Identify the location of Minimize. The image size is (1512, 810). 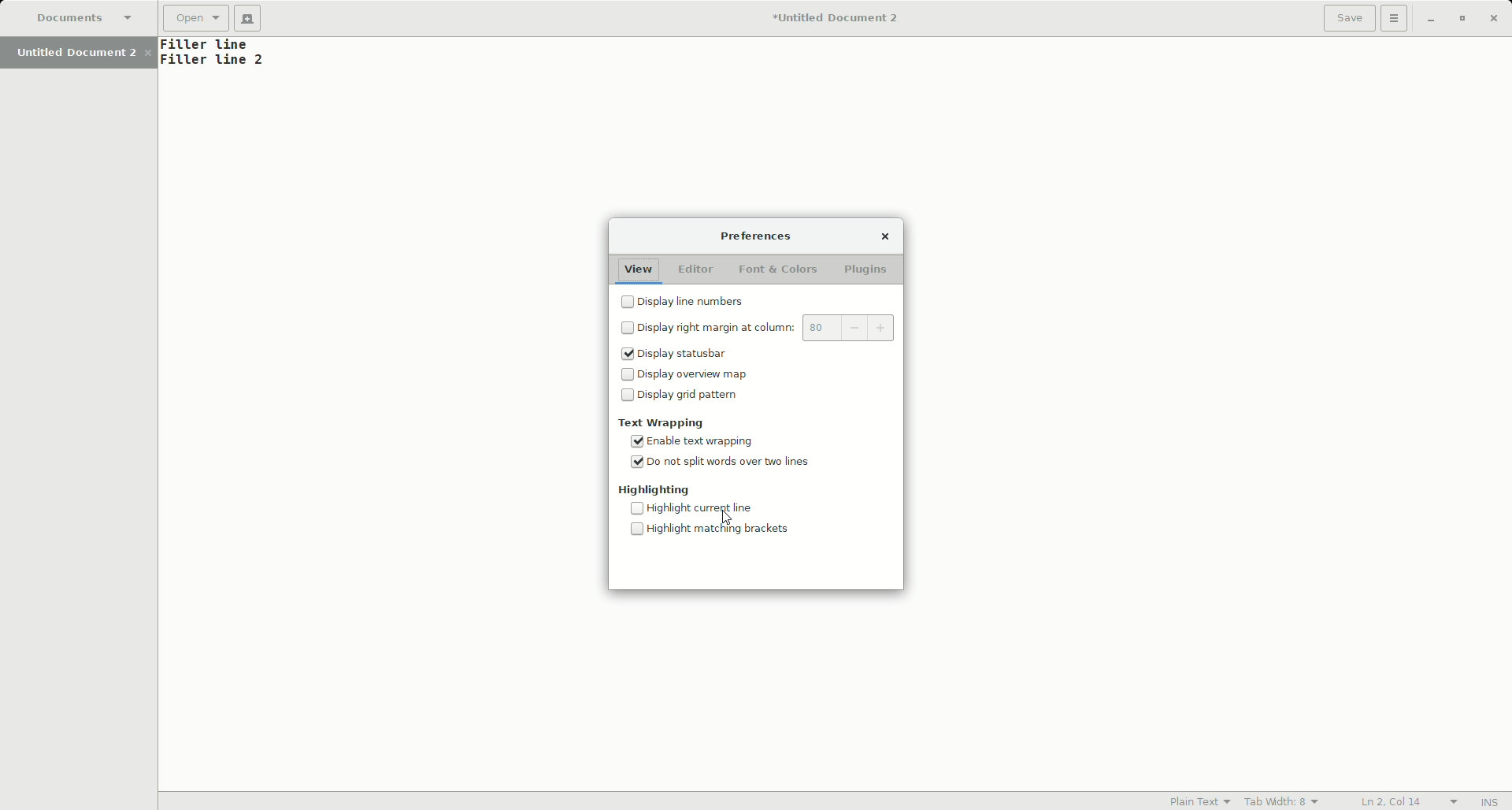
(1430, 19).